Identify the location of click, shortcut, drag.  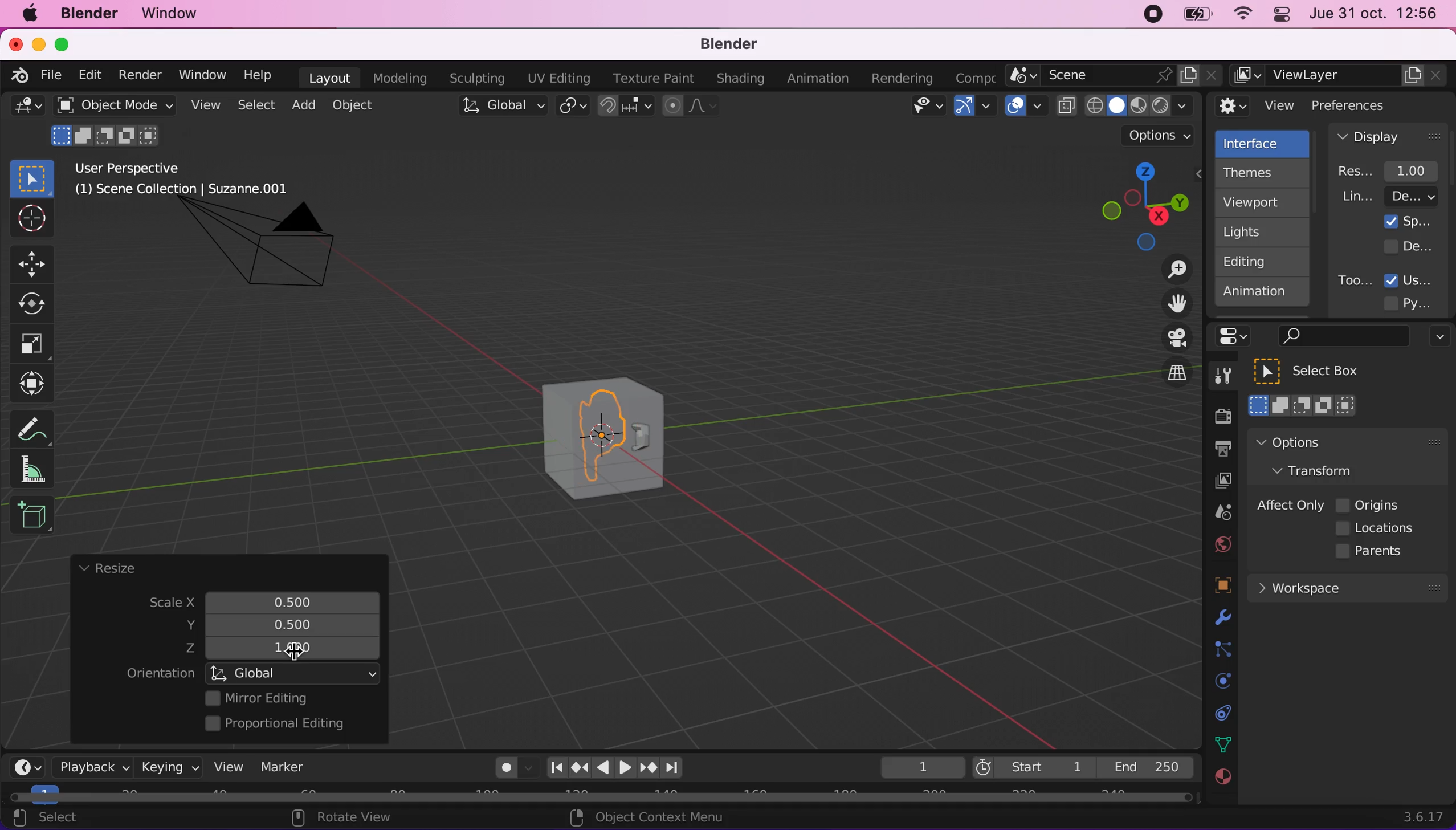
(1141, 206).